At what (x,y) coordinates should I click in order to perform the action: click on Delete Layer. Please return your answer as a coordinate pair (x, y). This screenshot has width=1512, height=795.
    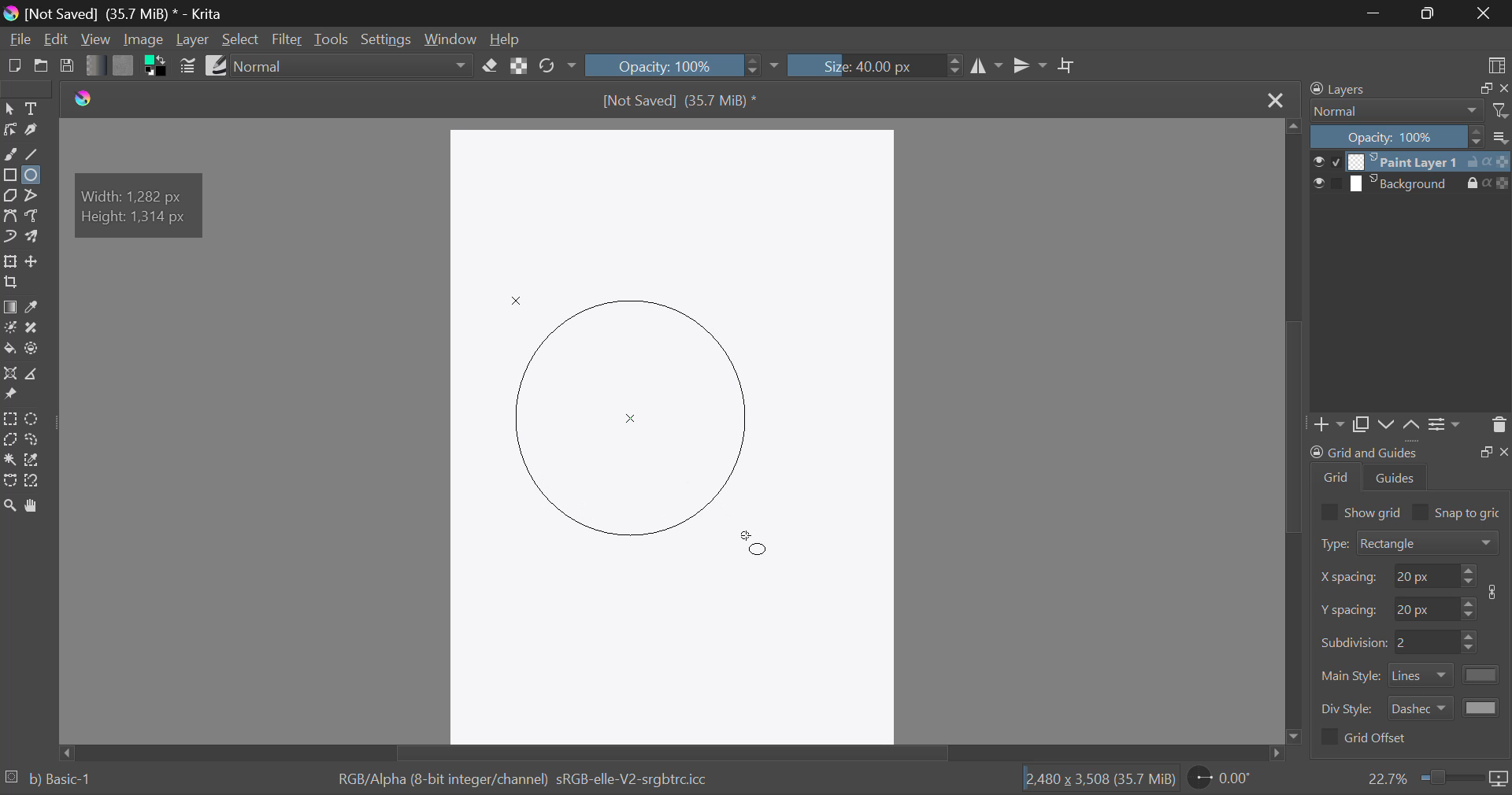
    Looking at the image, I should click on (1498, 428).